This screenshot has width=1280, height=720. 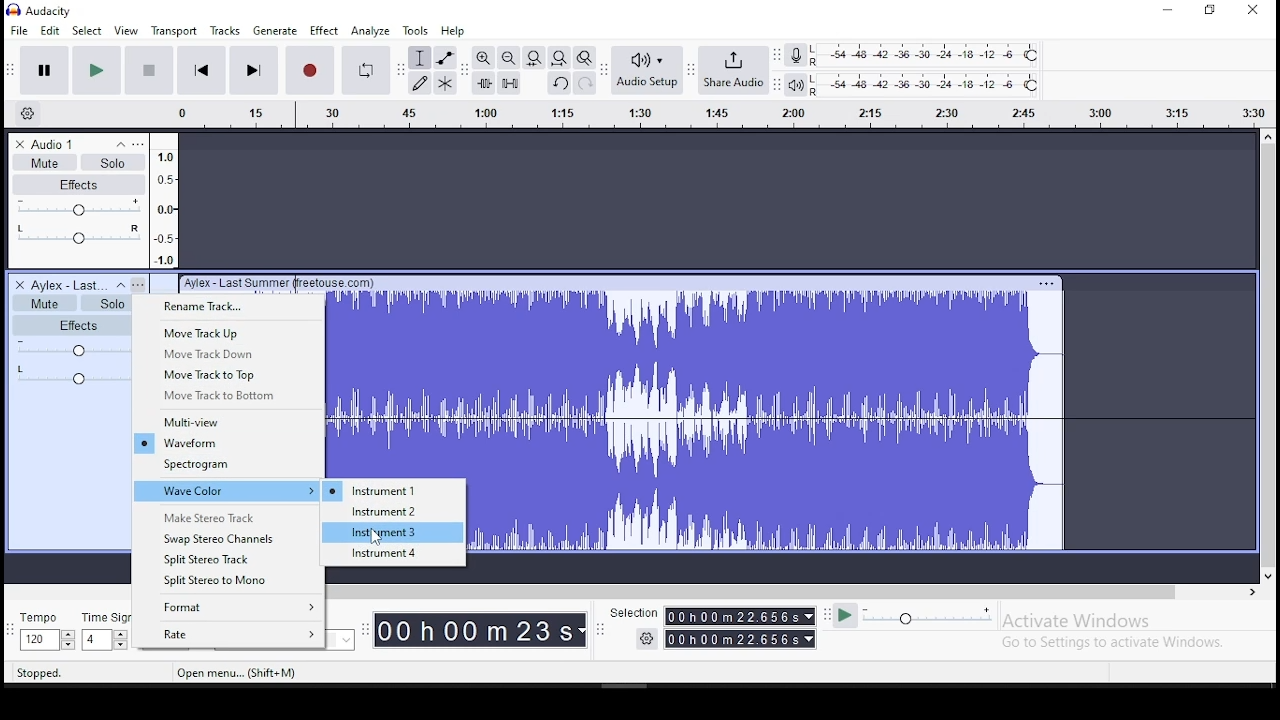 I want to click on zoom out, so click(x=508, y=57).